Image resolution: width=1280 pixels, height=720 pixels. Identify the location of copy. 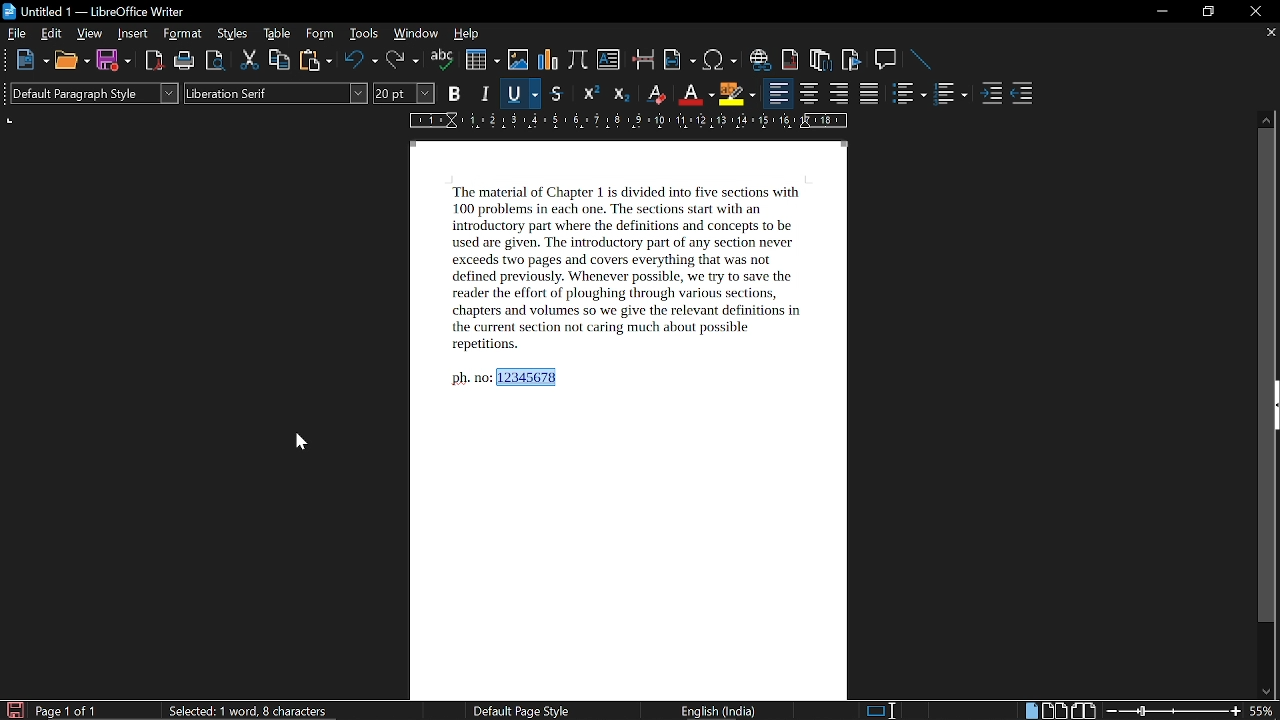
(280, 61).